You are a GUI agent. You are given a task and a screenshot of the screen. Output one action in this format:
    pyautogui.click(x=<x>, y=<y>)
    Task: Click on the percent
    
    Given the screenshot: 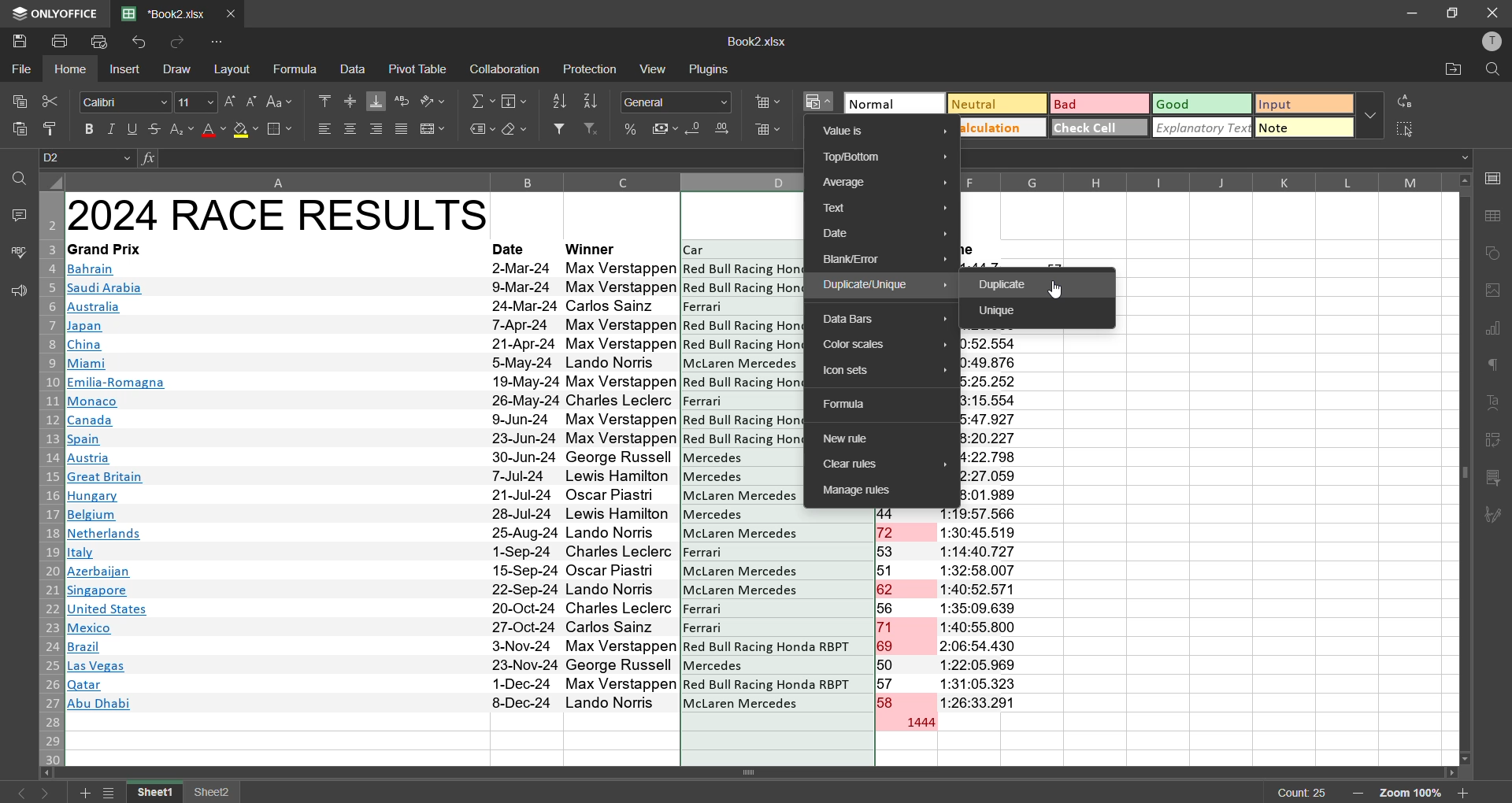 What is the action you would take?
    pyautogui.click(x=632, y=130)
    